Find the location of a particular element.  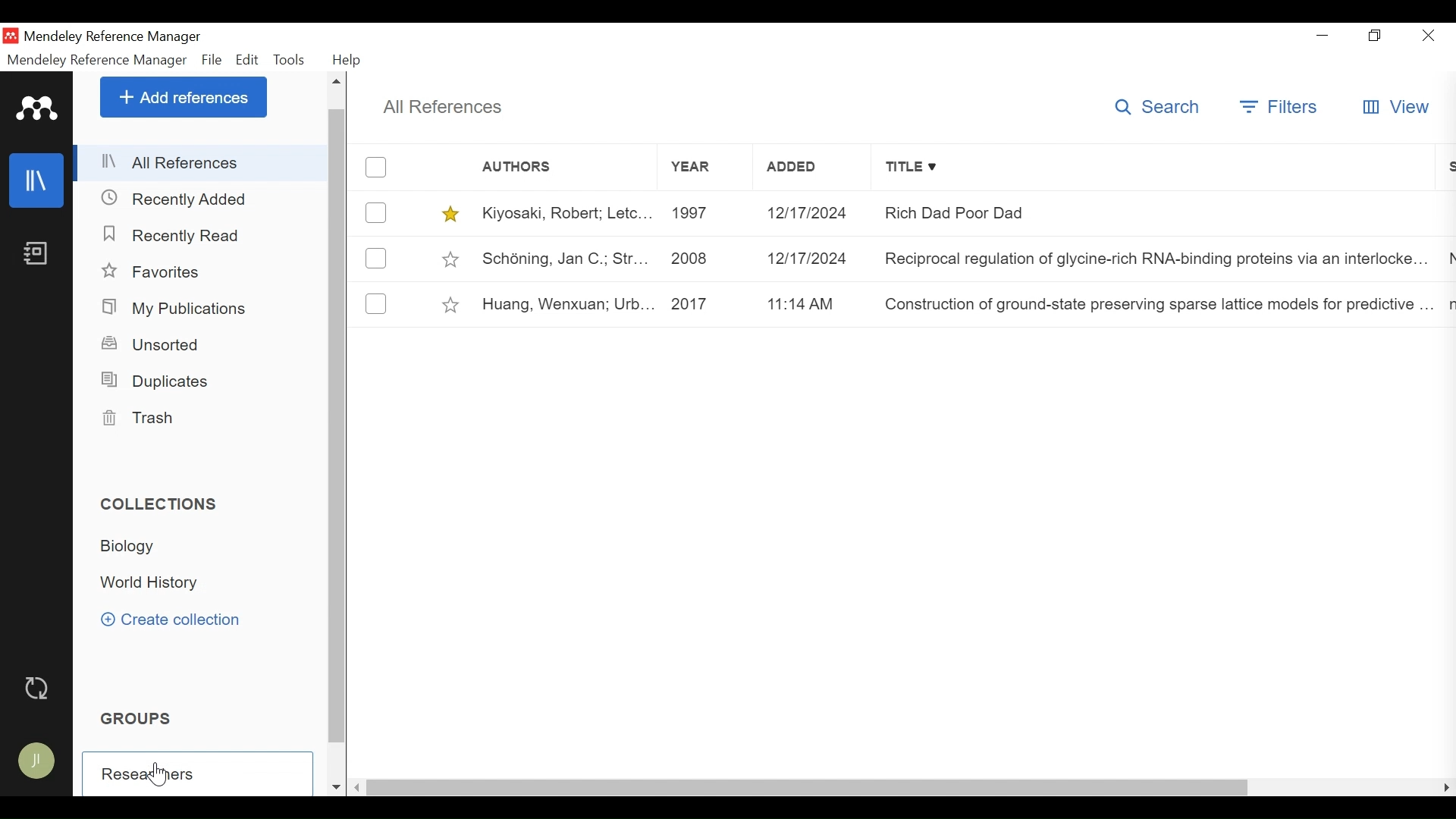

My Publications is located at coordinates (174, 309).